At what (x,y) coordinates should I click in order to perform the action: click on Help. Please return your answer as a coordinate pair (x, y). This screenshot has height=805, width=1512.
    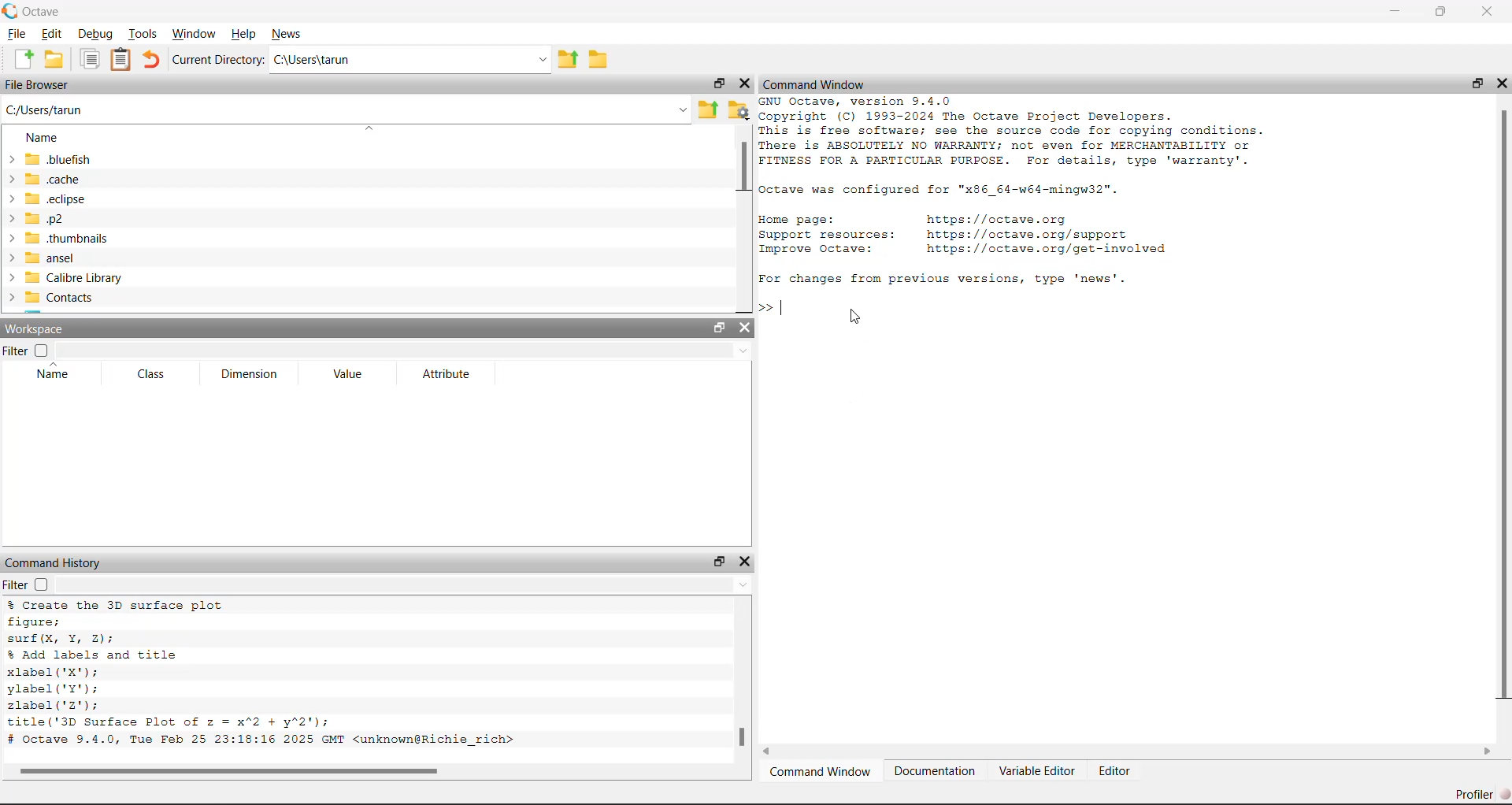
    Looking at the image, I should click on (245, 34).